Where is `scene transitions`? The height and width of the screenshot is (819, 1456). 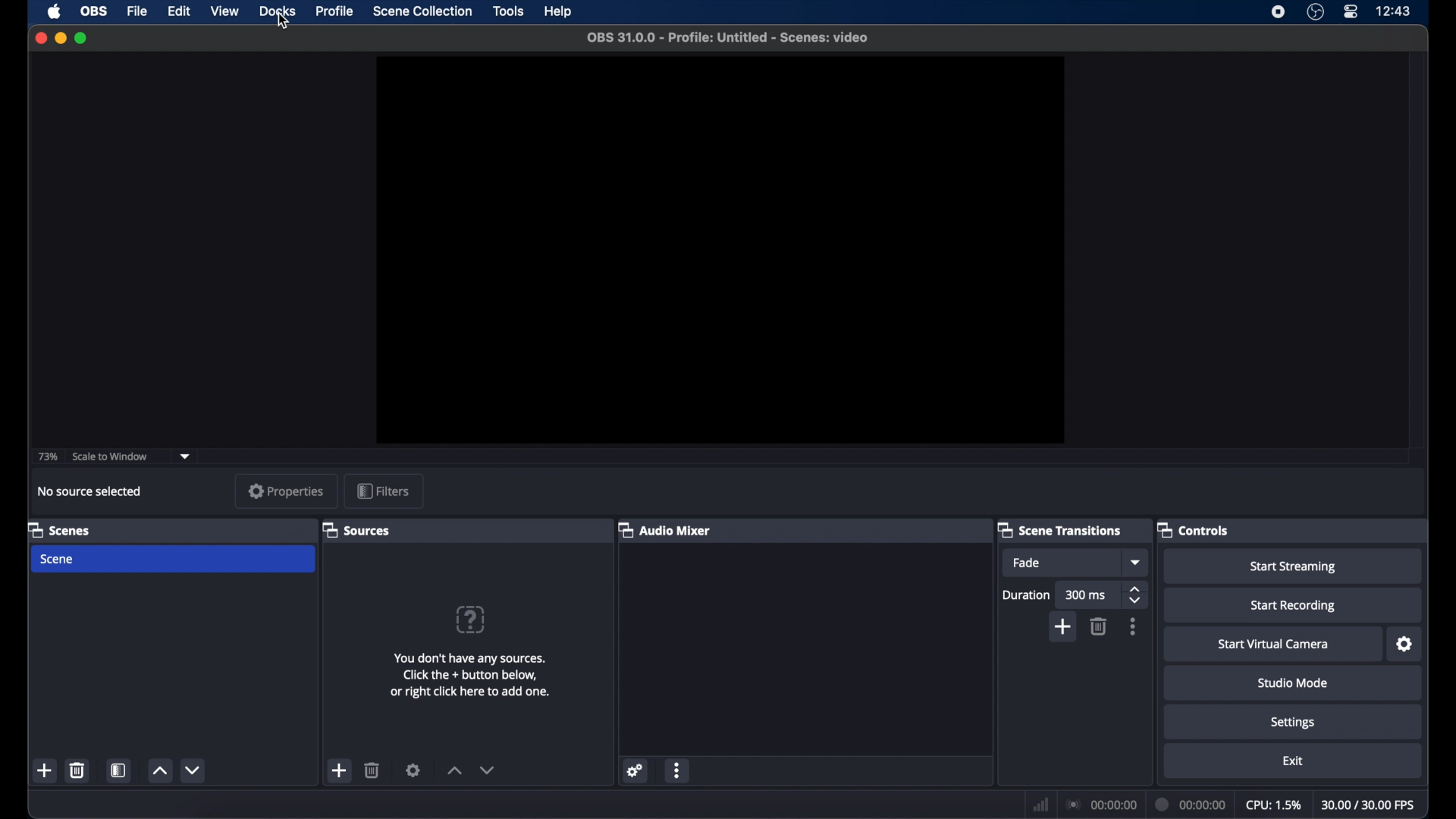
scene transitions is located at coordinates (1061, 531).